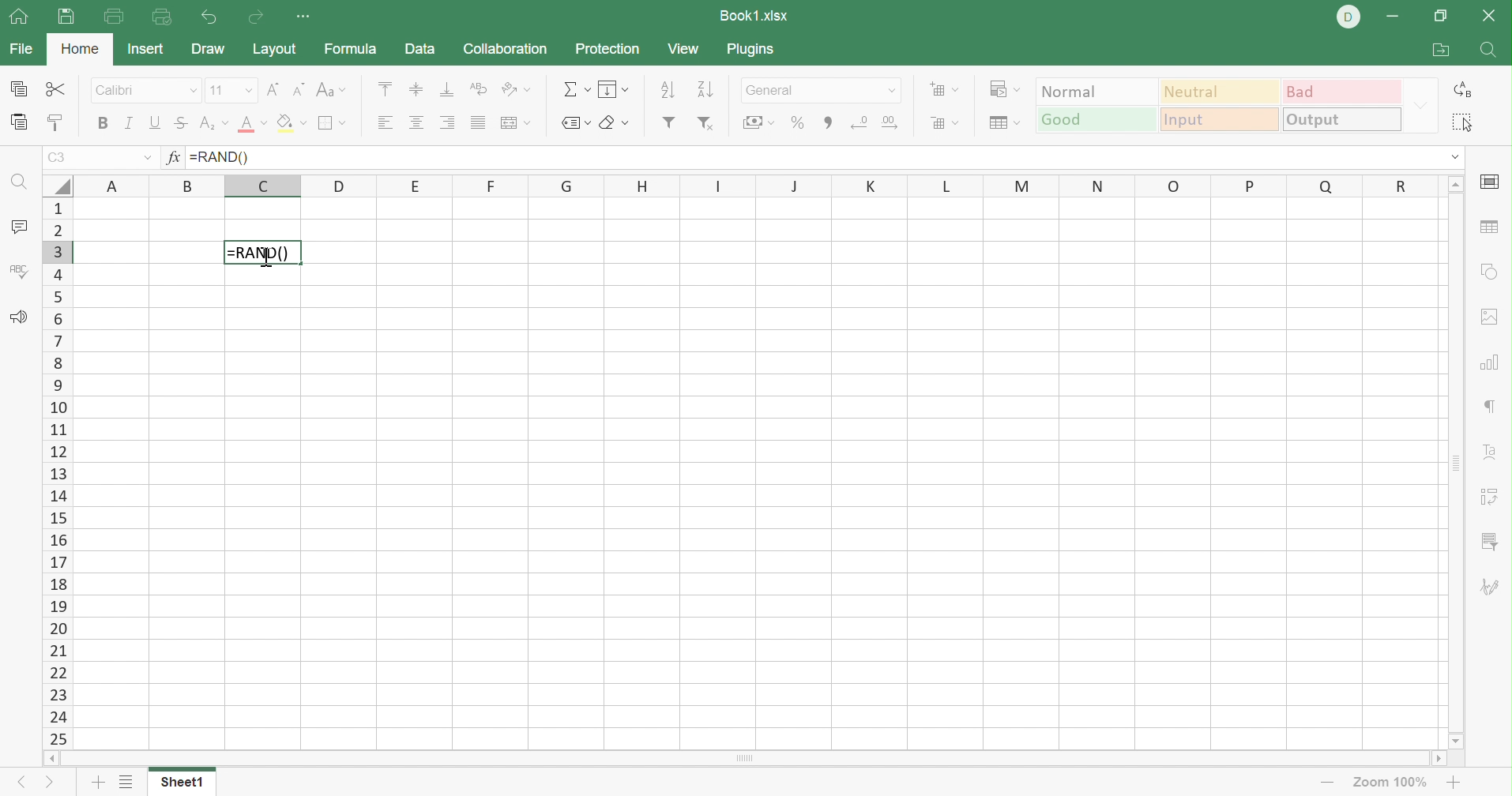 This screenshot has height=796, width=1512. What do you see at coordinates (296, 90) in the screenshot?
I see `Decrement font size` at bounding box center [296, 90].